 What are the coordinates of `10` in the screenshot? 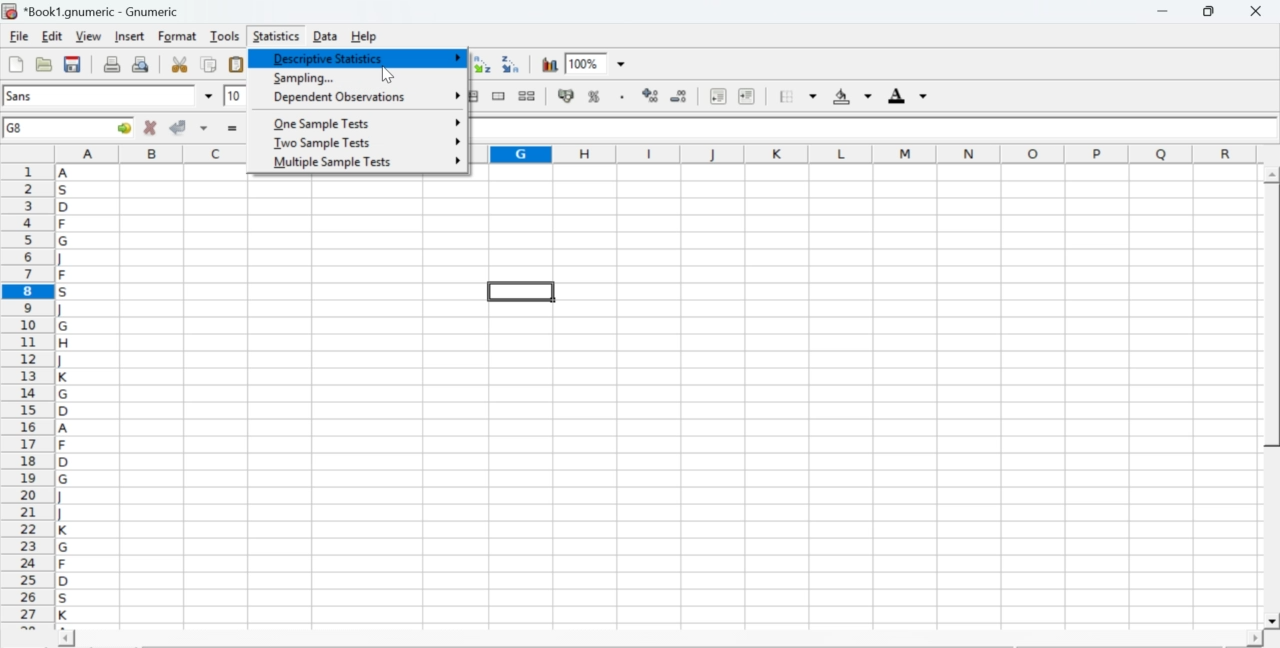 It's located at (235, 96).